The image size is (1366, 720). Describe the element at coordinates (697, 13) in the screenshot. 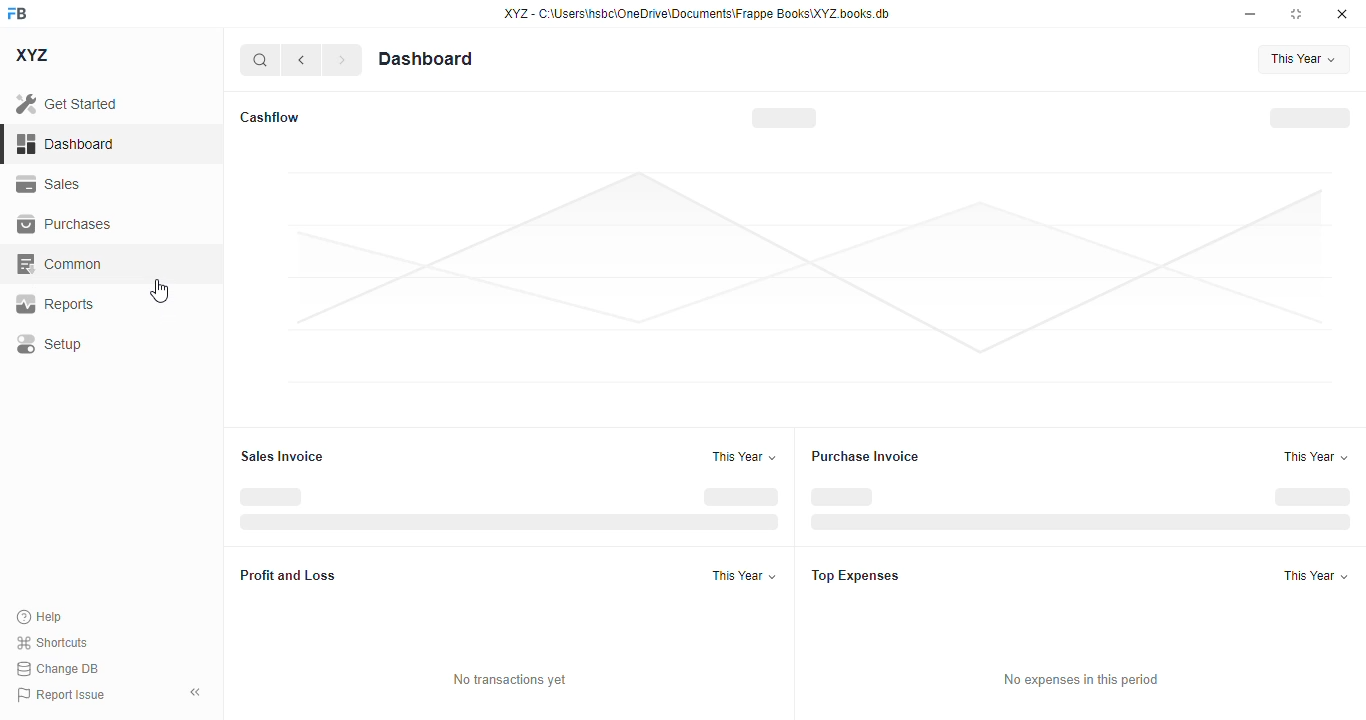

I see `XYZ - C:\Users\hsbc\OneDrive\Documents\Frappe Books\XYZ books.db` at that location.